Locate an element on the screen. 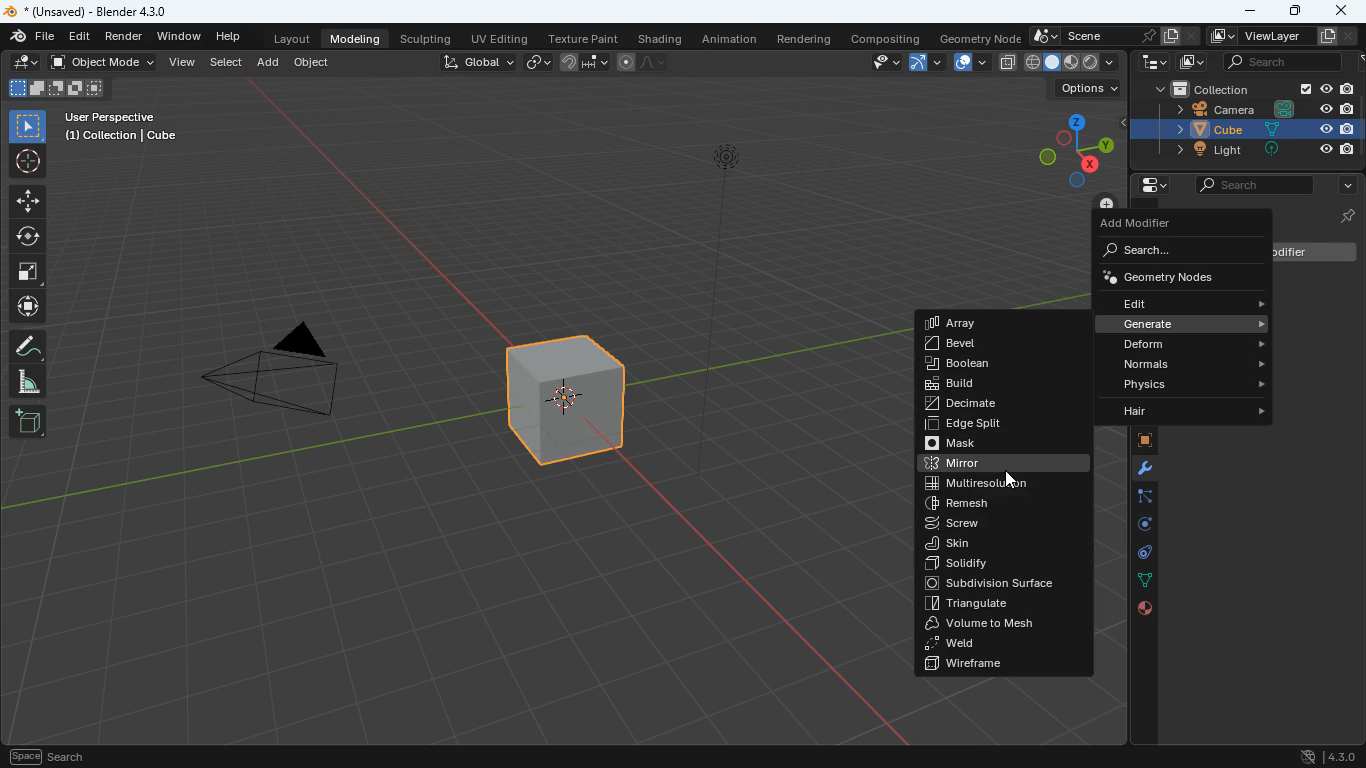 The height and width of the screenshot is (768, 1366). layout is located at coordinates (291, 41).